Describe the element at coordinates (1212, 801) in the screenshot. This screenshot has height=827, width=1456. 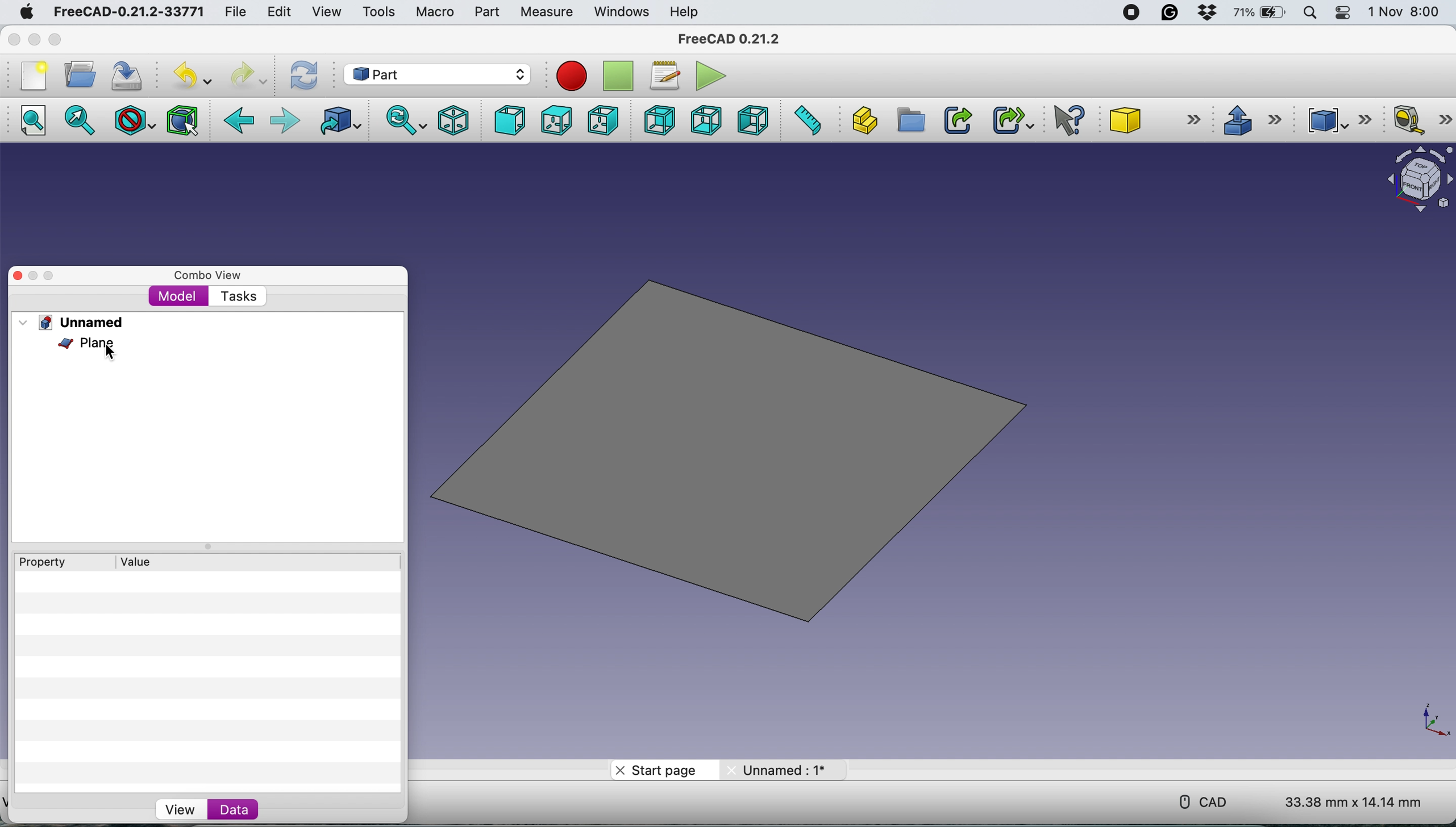
I see `cad` at that location.